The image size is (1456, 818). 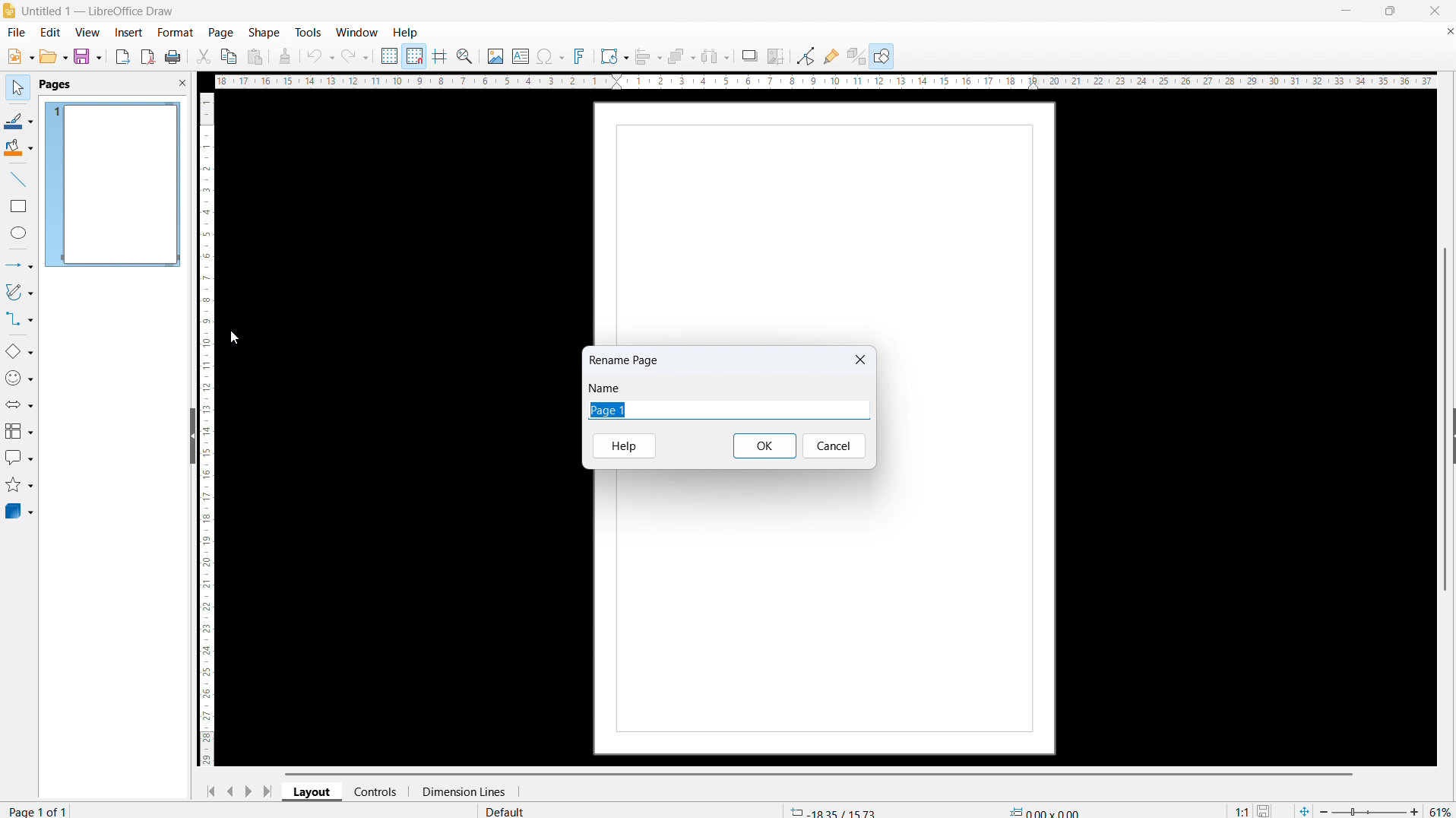 I want to click on window, so click(x=357, y=32).